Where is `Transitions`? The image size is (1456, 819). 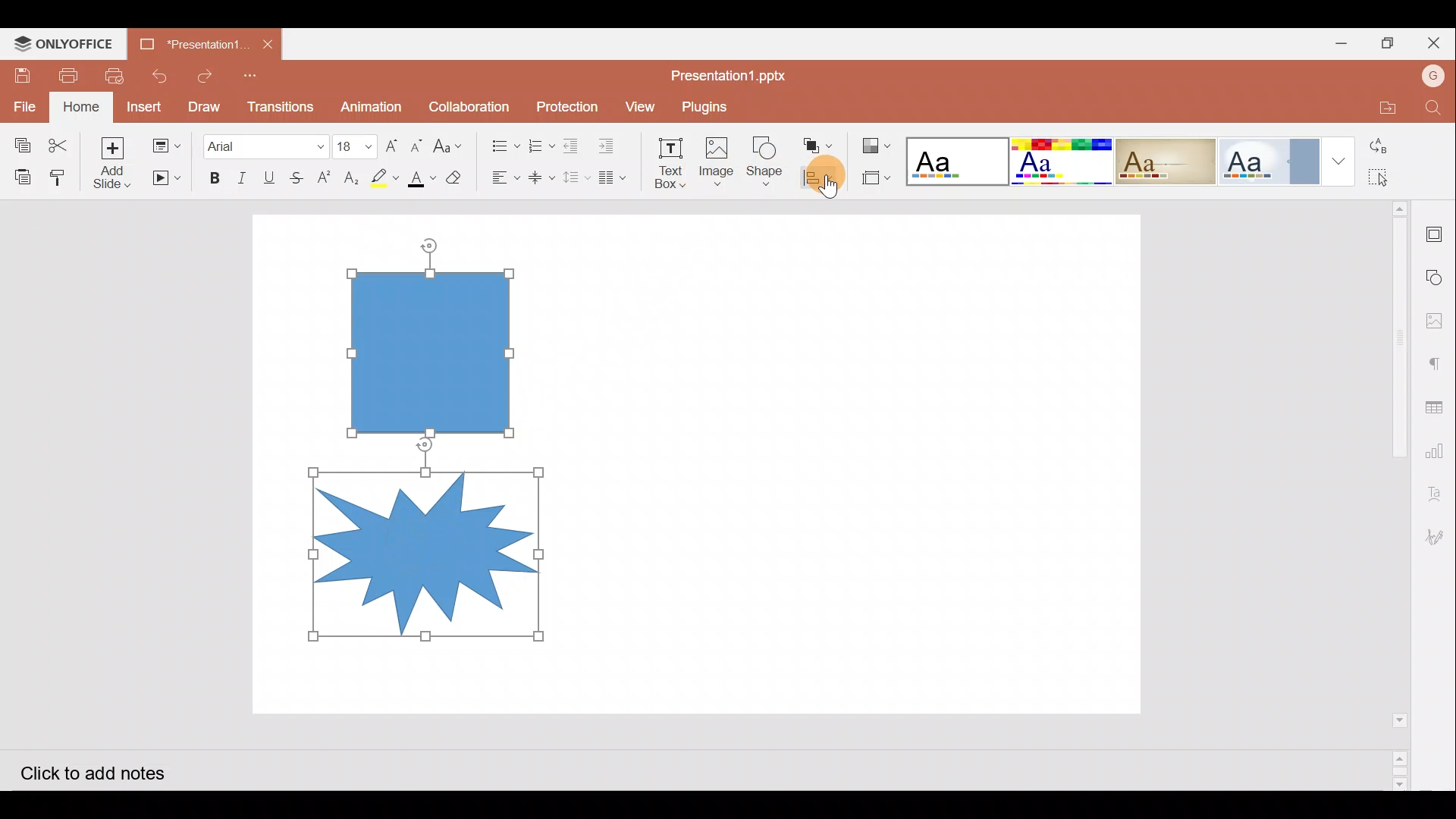 Transitions is located at coordinates (279, 103).